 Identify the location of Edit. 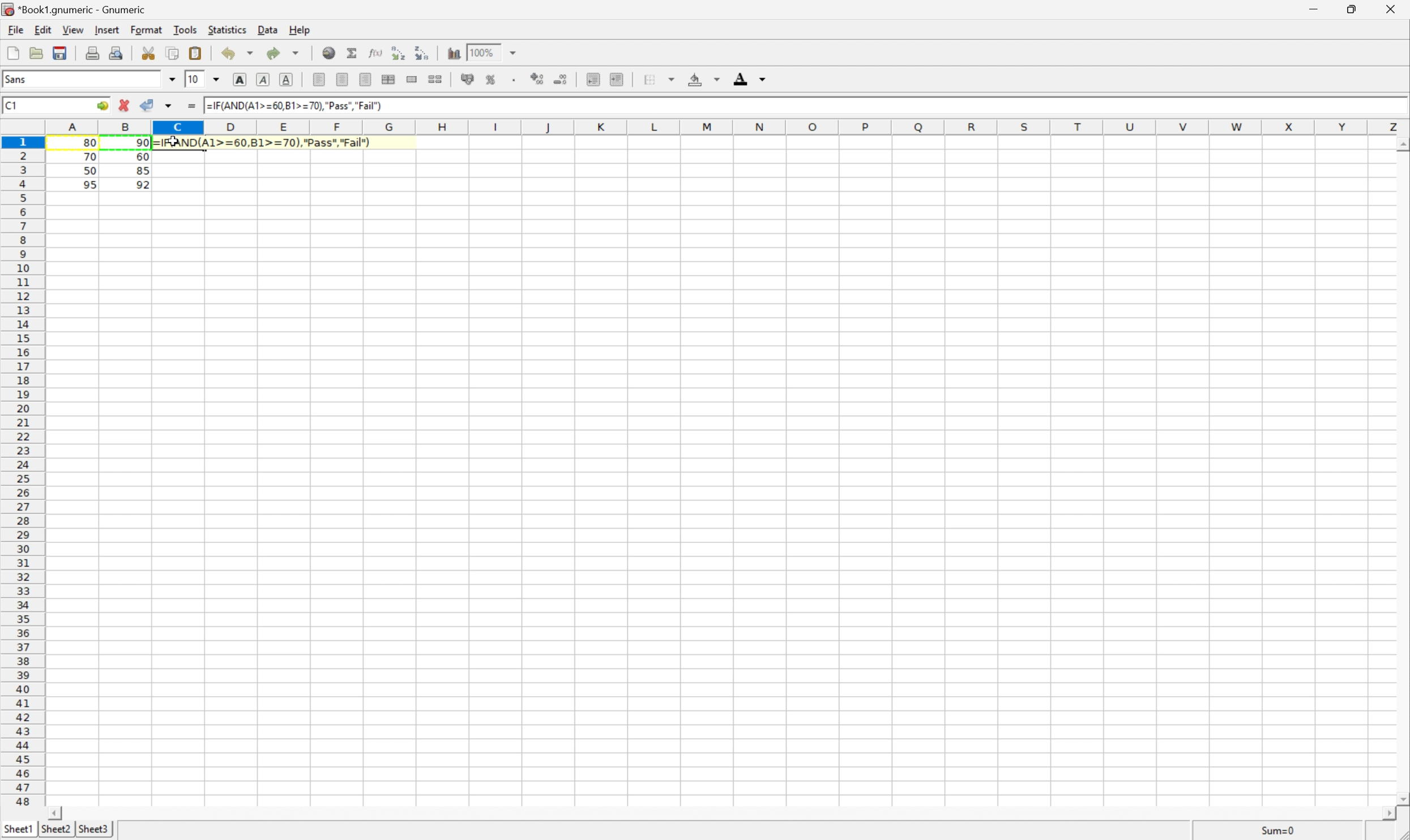
(42, 31).